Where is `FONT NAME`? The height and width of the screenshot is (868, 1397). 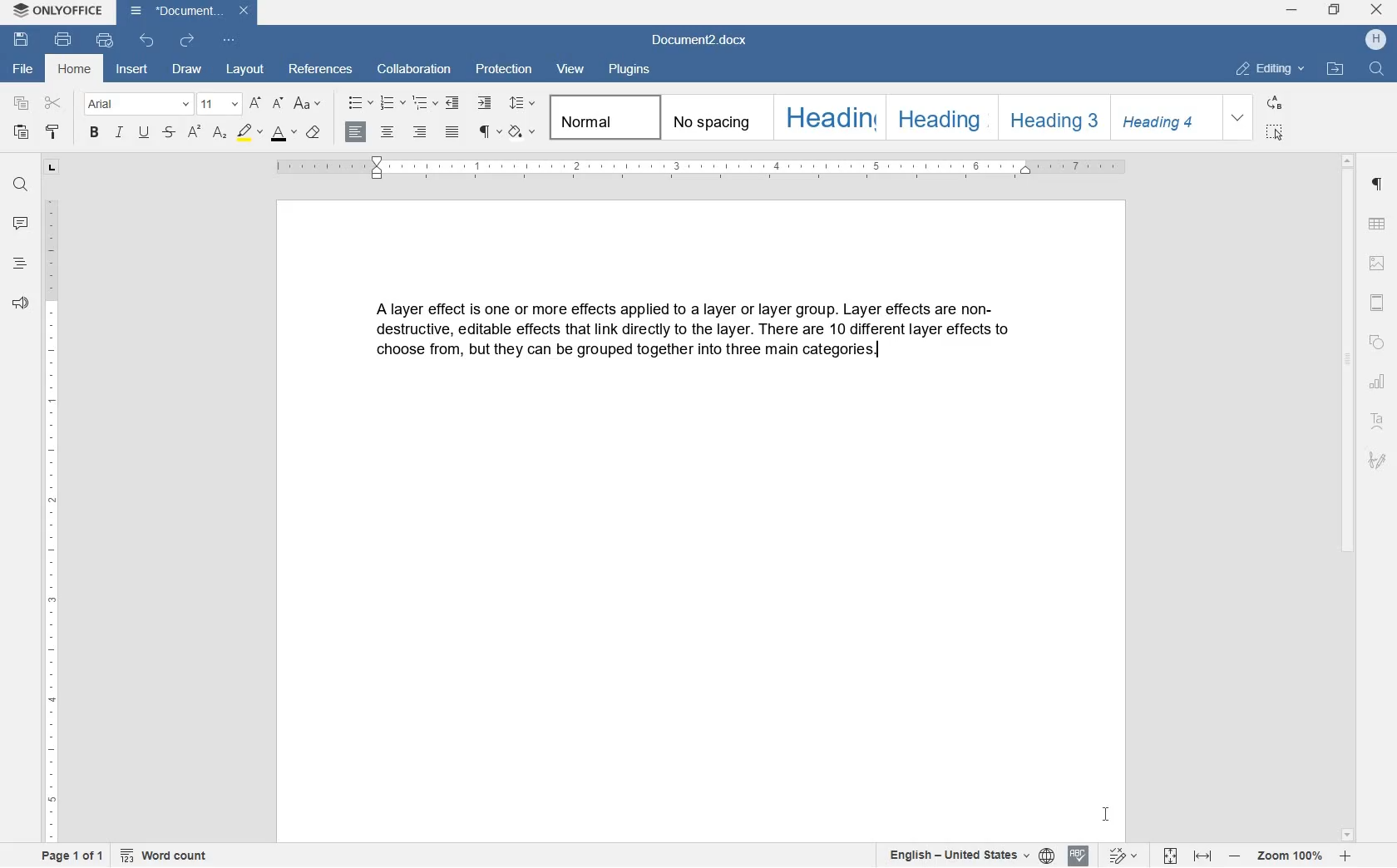
FONT NAME is located at coordinates (134, 105).